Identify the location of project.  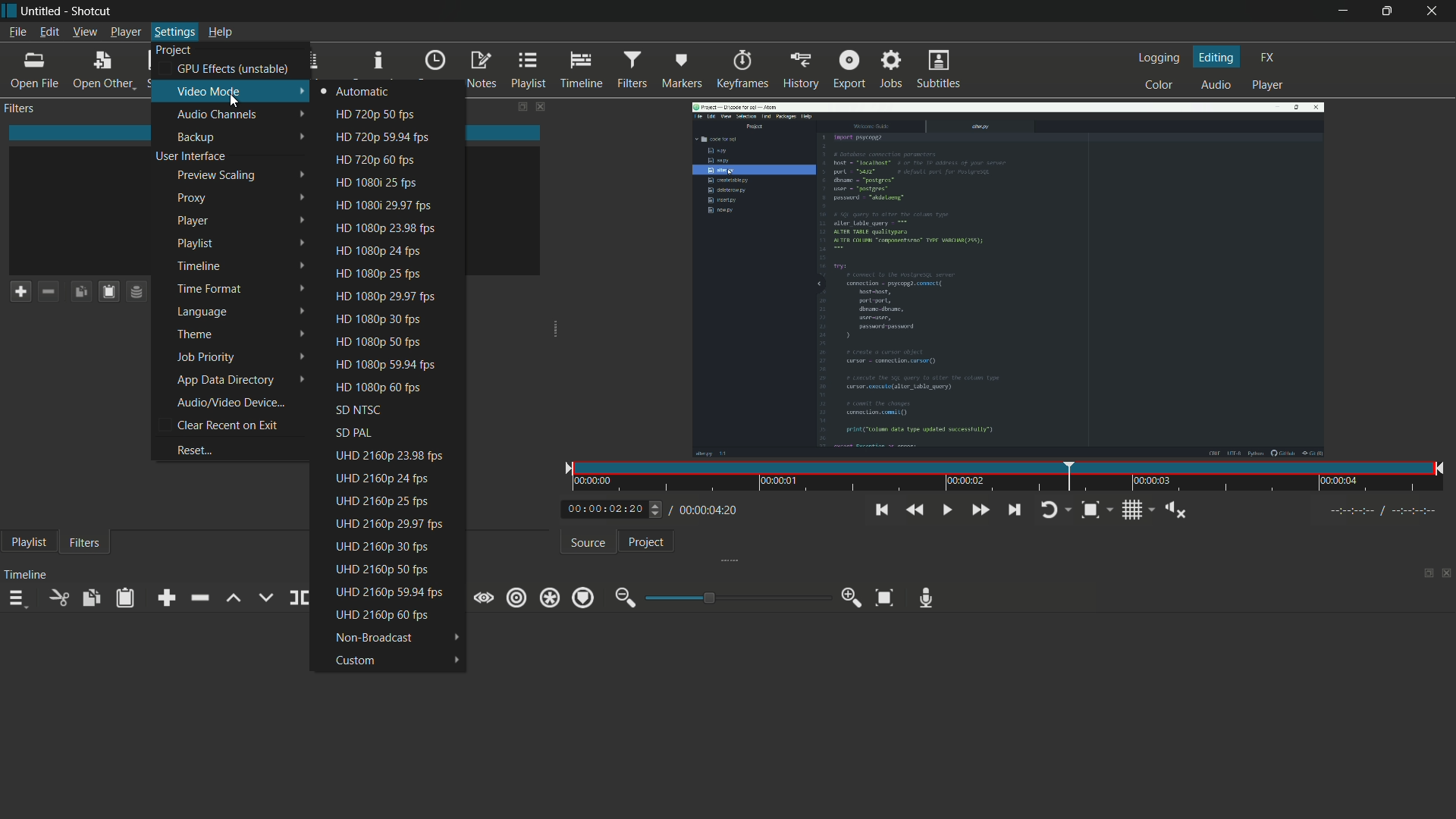
(175, 51).